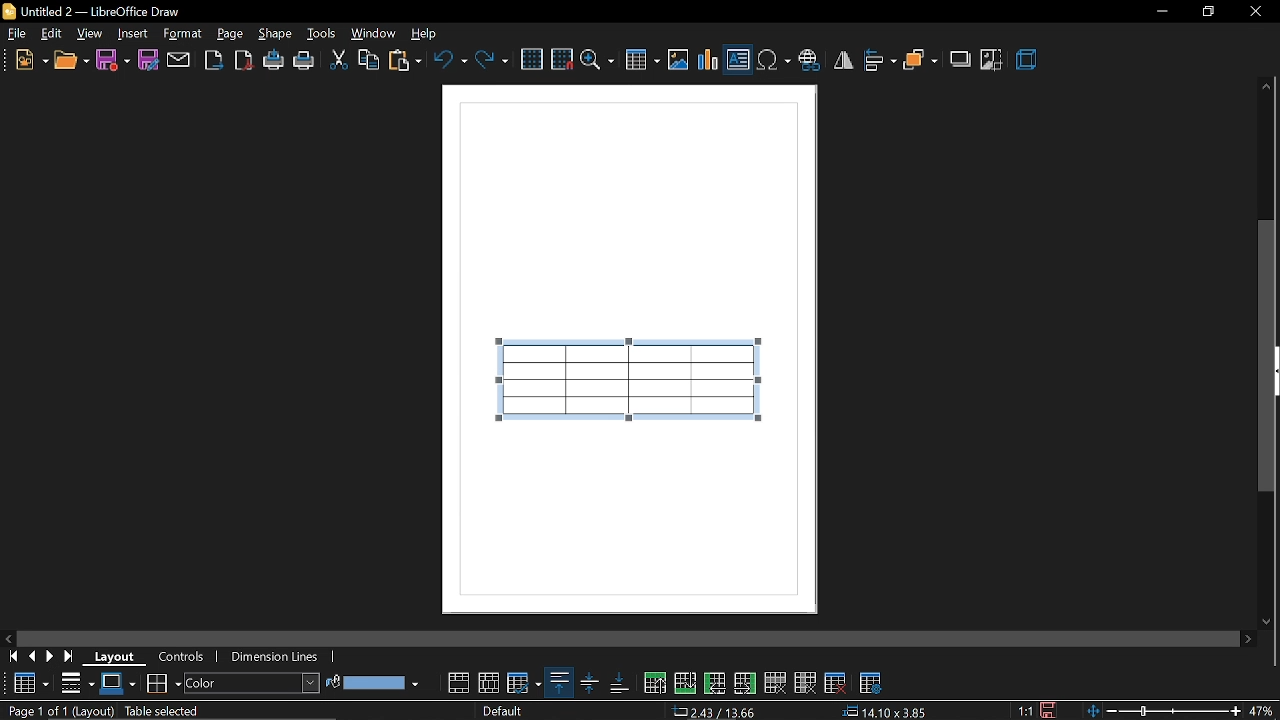  I want to click on snap to grid, so click(562, 59).